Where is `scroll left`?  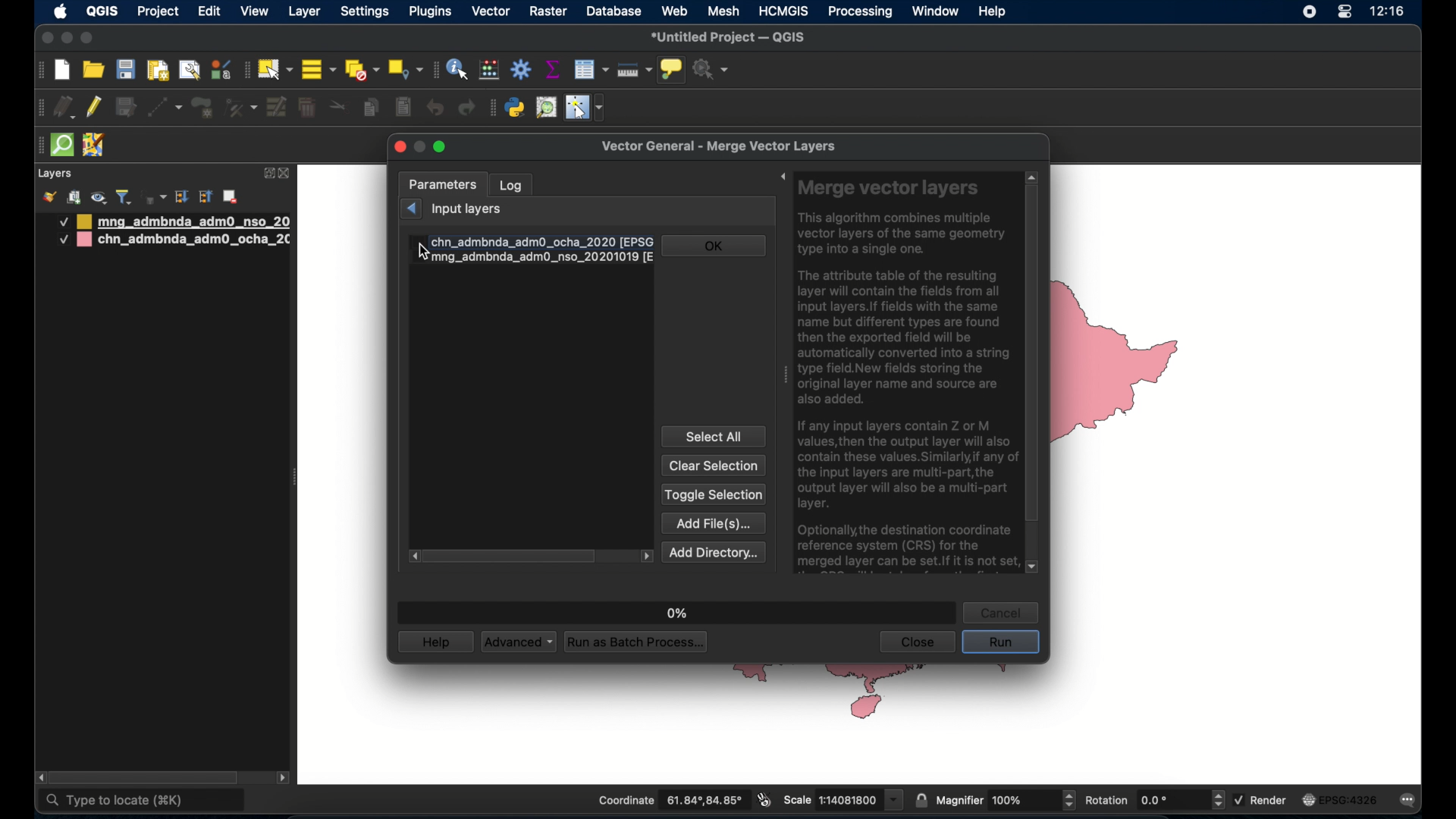 scroll left is located at coordinates (41, 778).